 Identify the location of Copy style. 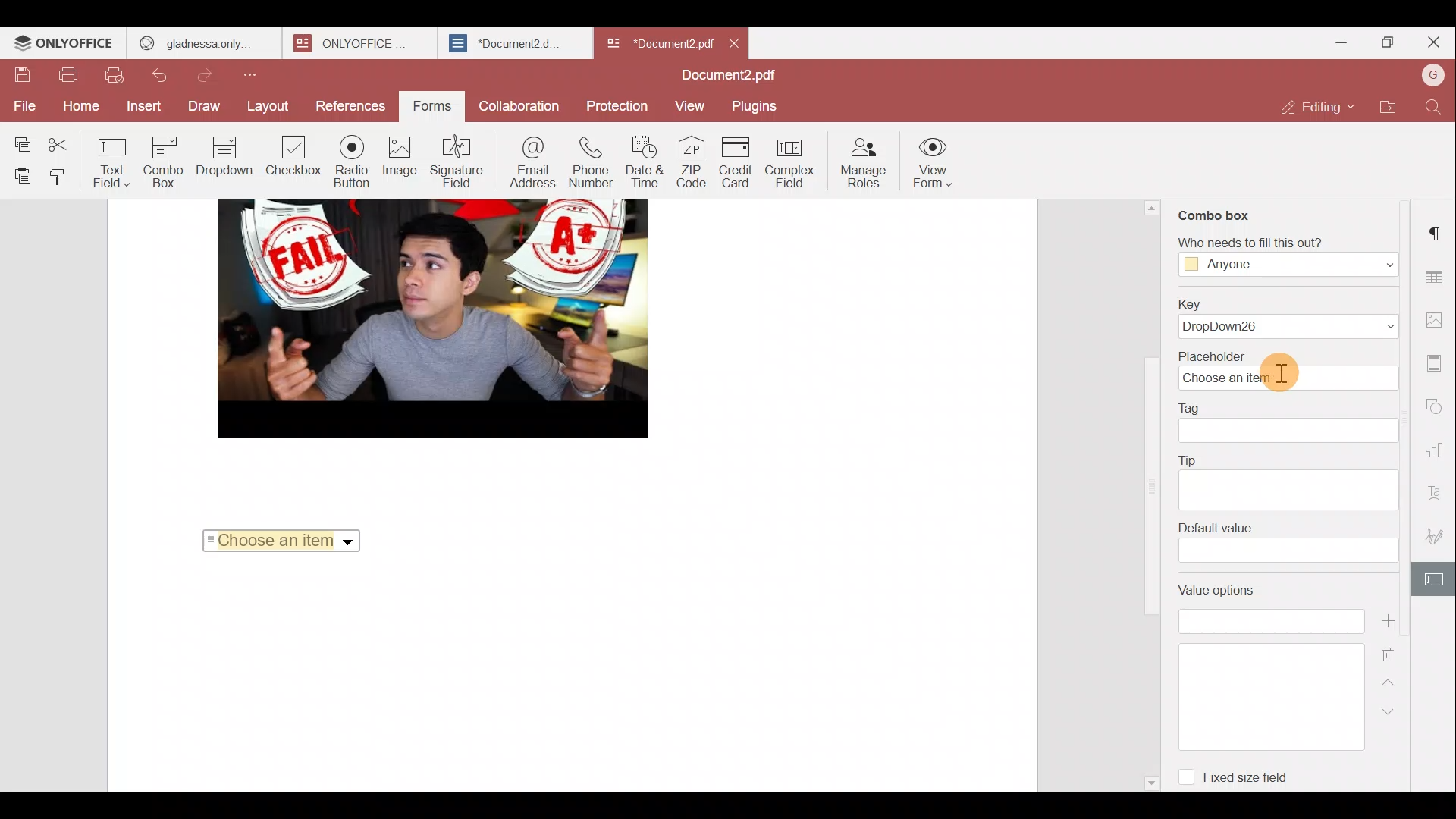
(65, 177).